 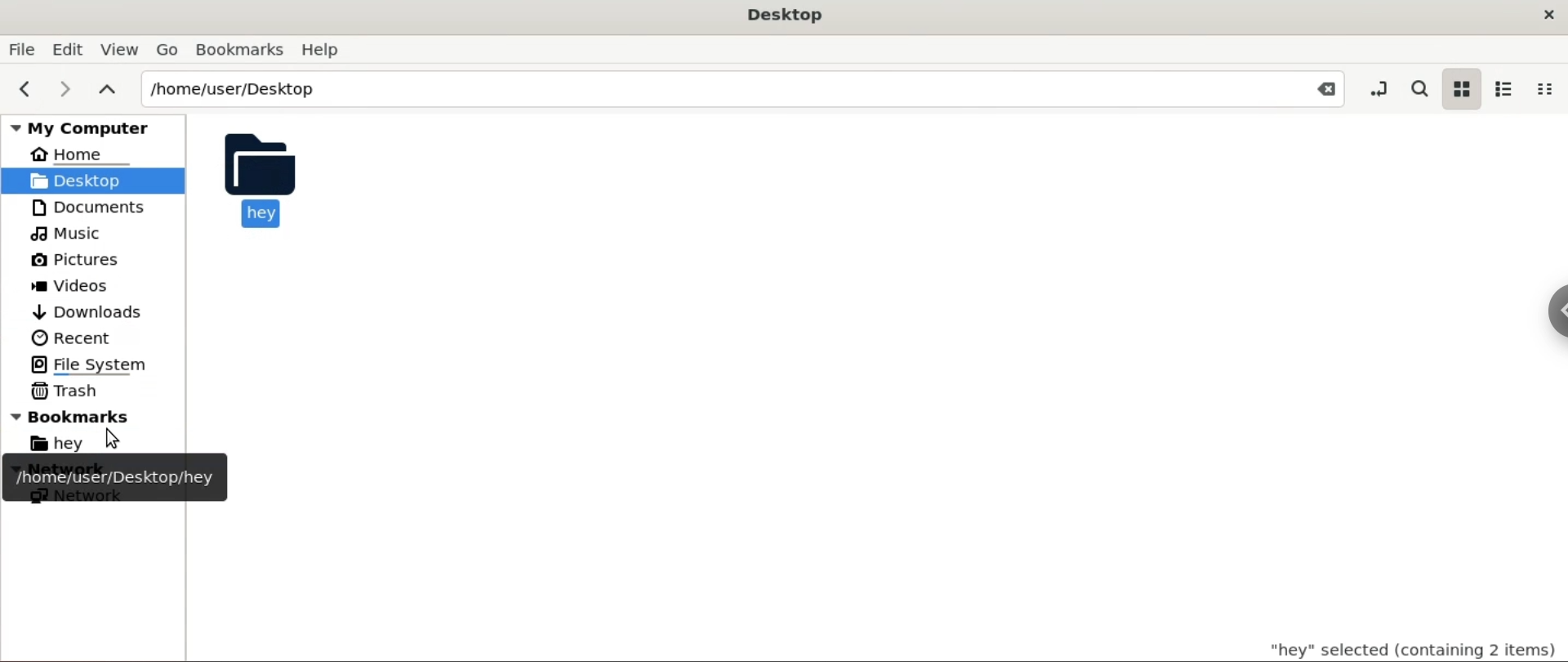 What do you see at coordinates (1320, 90) in the screenshot?
I see `Close` at bounding box center [1320, 90].